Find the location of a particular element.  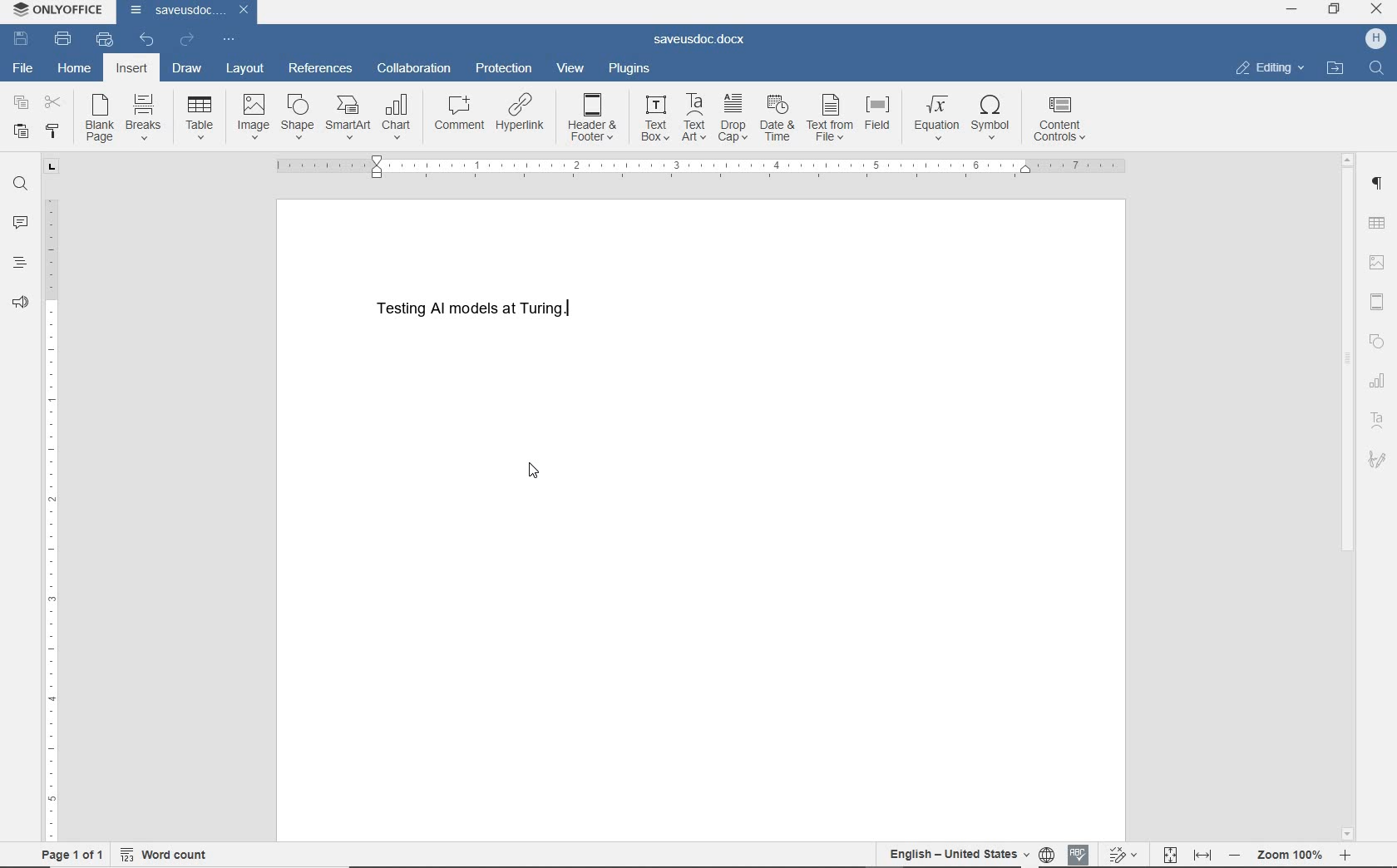

plugins is located at coordinates (629, 70).